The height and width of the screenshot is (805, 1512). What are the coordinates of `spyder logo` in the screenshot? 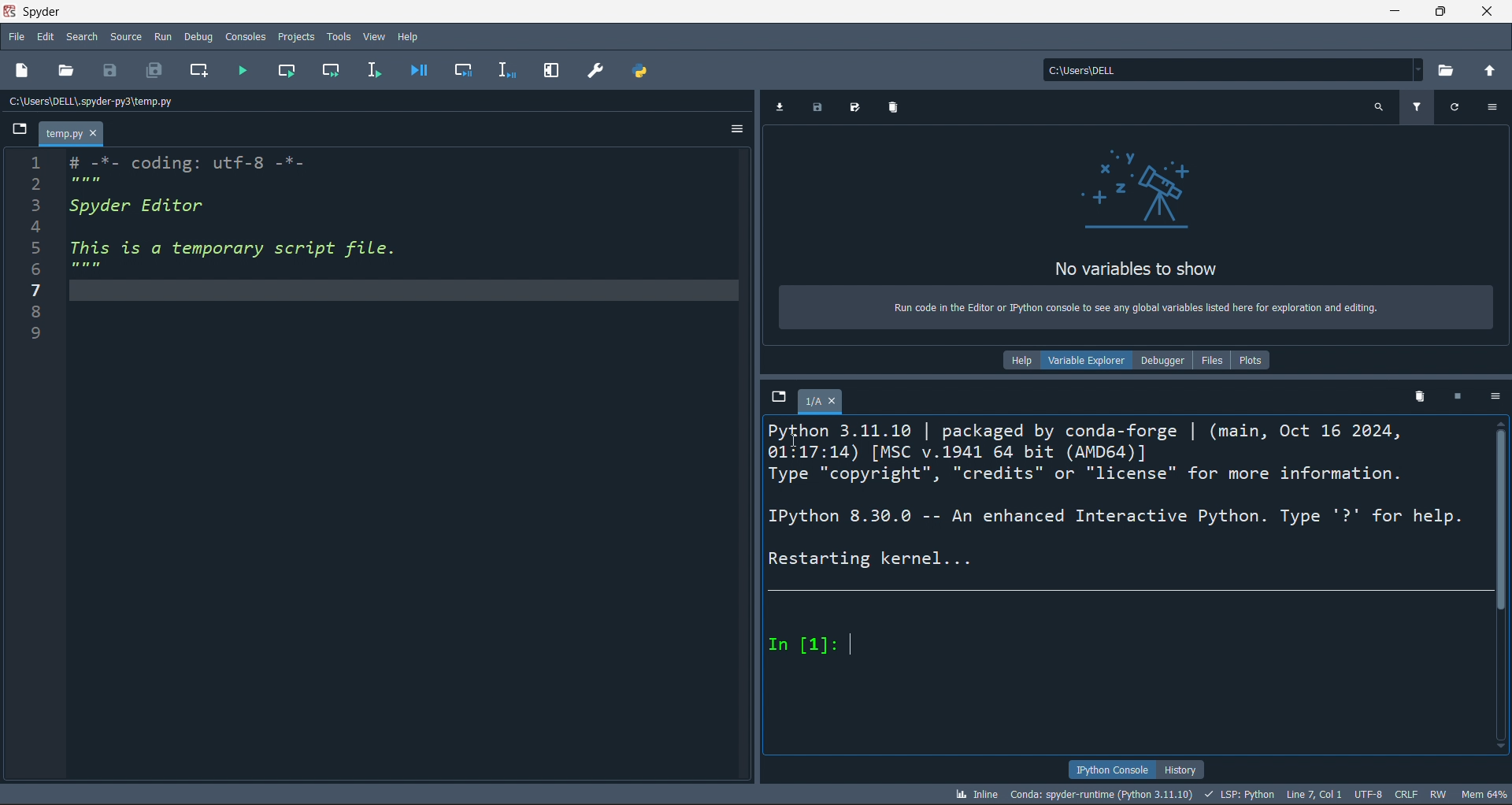 It's located at (9, 12).